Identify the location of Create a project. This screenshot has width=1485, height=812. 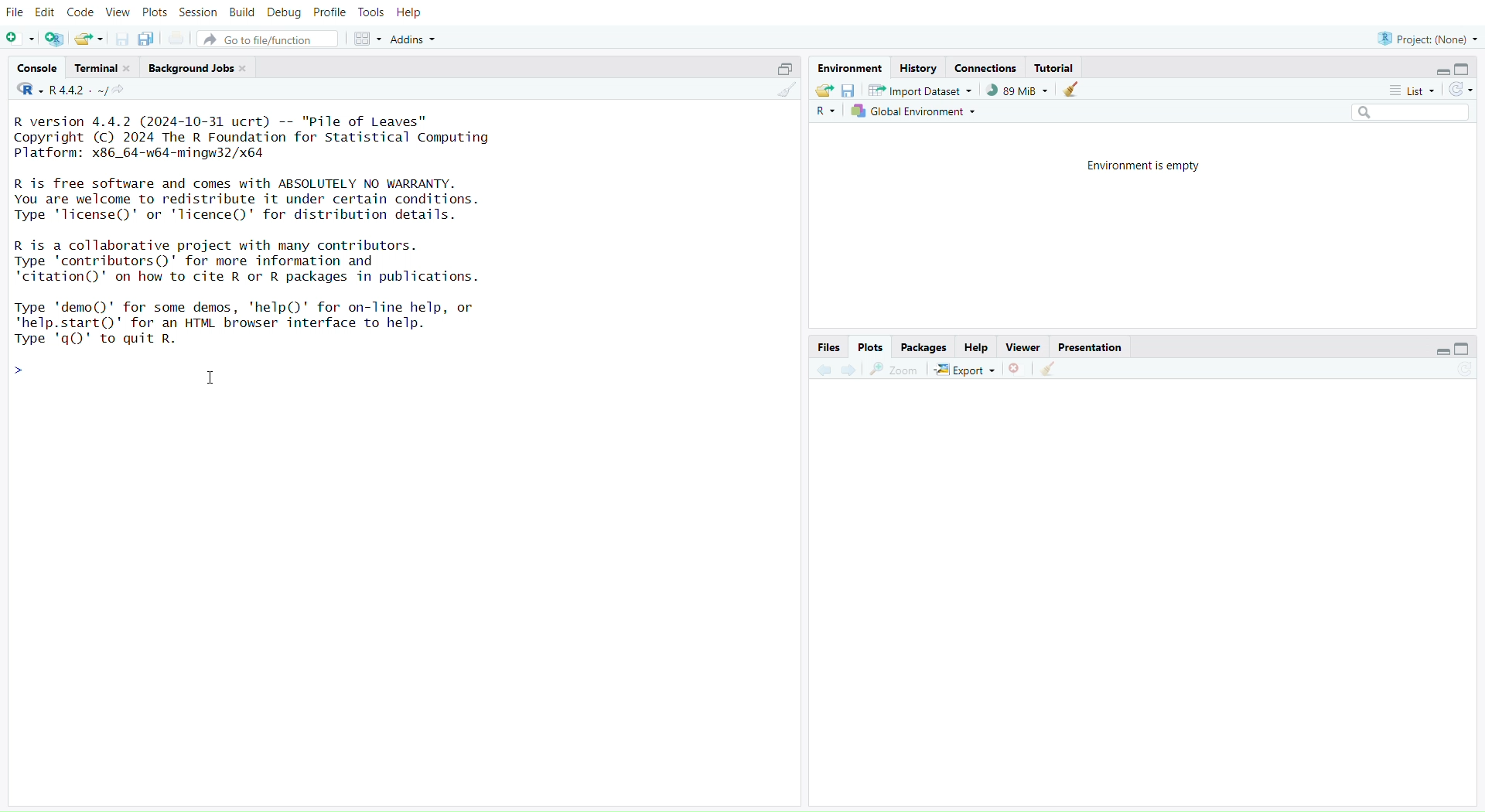
(55, 39).